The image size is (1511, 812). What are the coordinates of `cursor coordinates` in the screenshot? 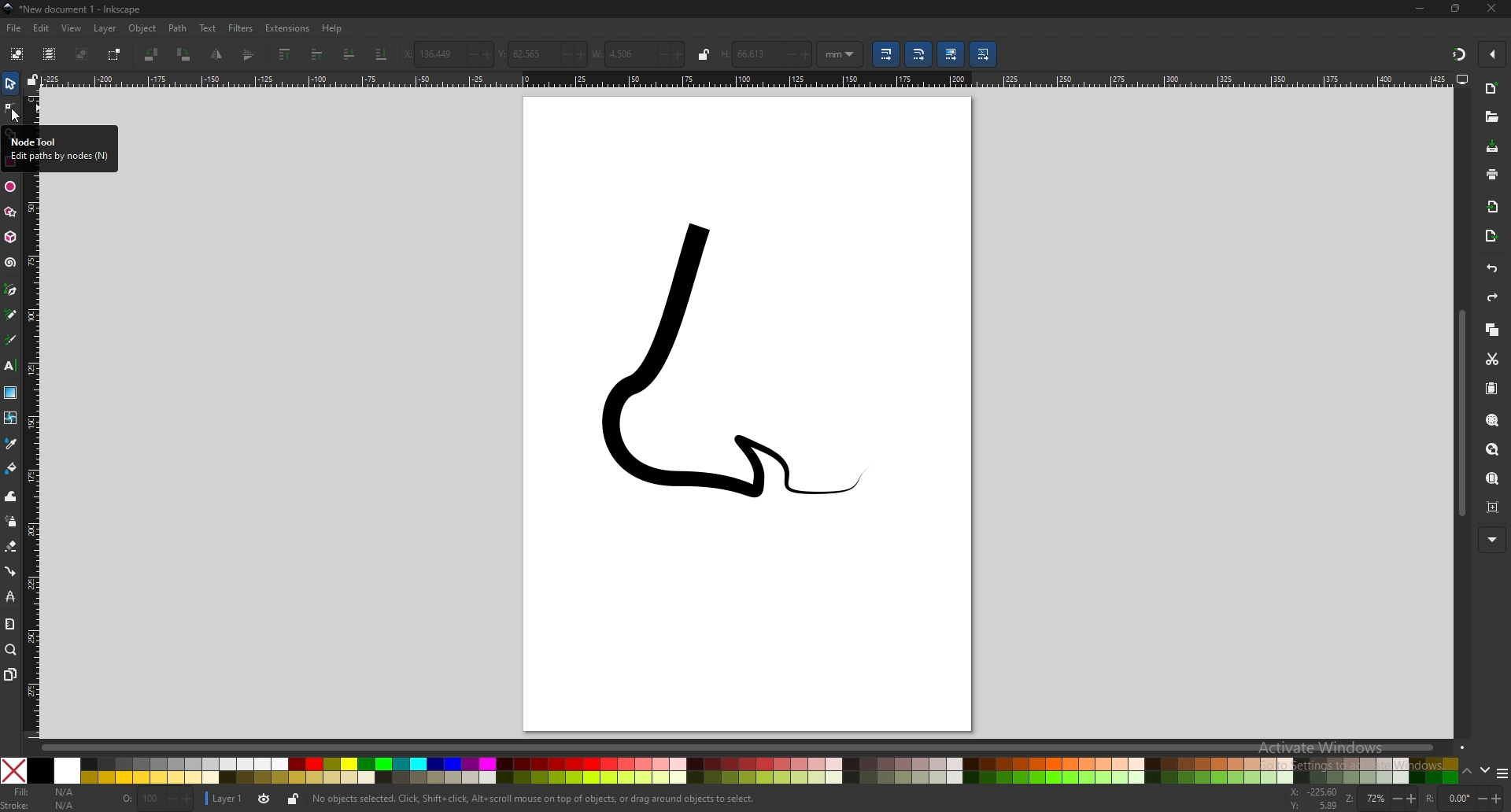 It's located at (1317, 799).